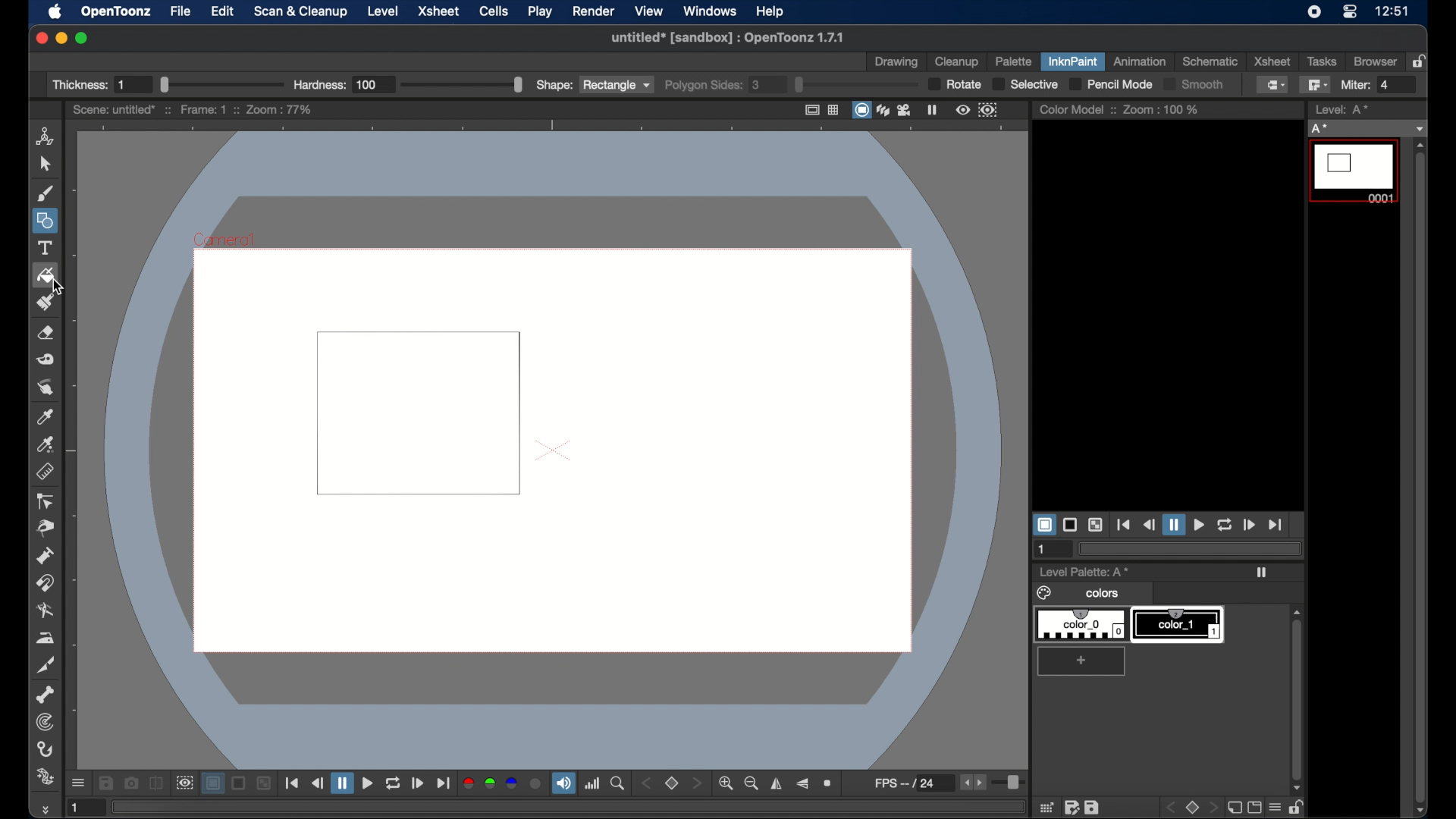 The height and width of the screenshot is (819, 1456). I want to click on alpha channel, so click(536, 783).